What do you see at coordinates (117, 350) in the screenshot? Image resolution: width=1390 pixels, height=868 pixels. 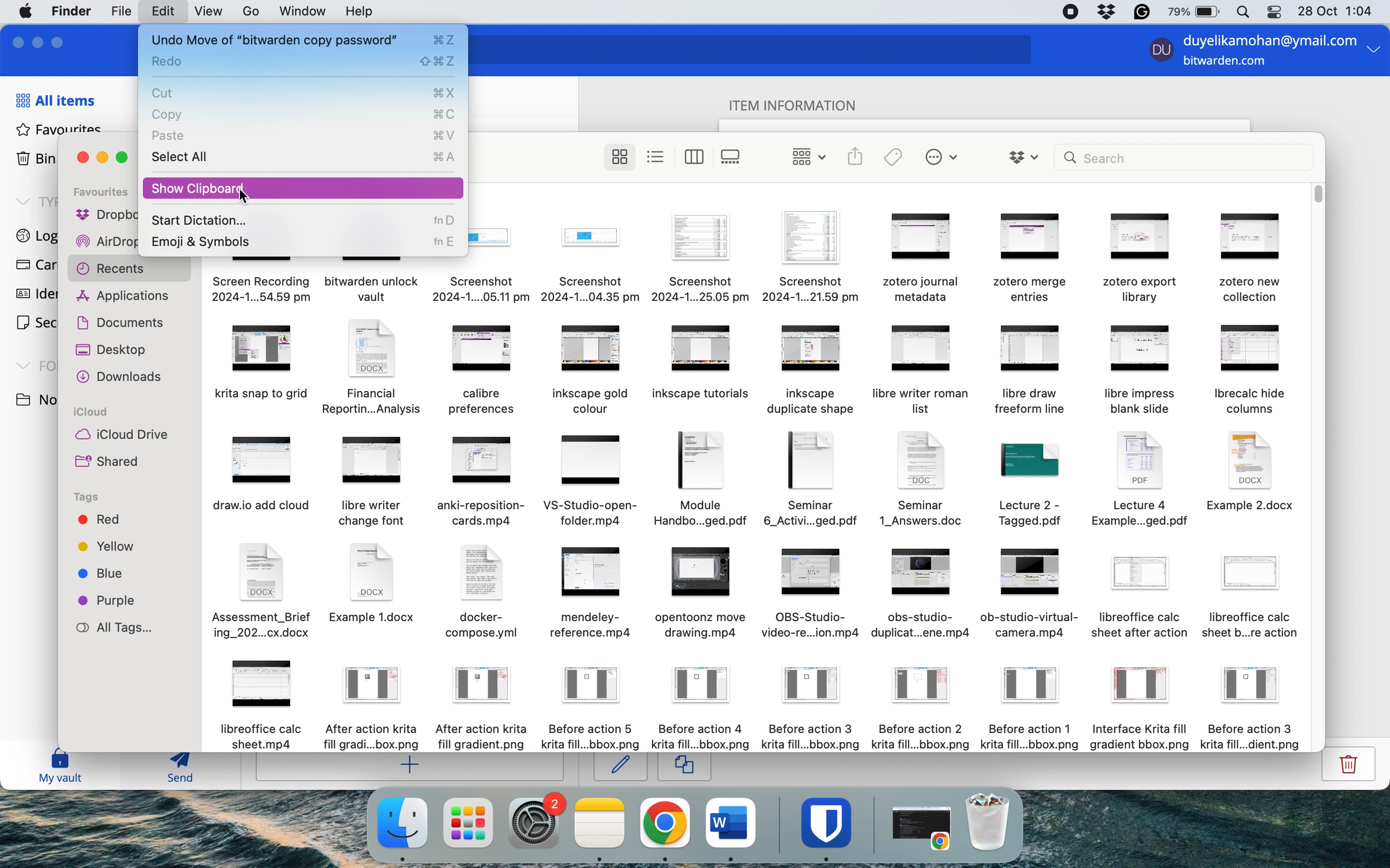 I see `desktop` at bounding box center [117, 350].